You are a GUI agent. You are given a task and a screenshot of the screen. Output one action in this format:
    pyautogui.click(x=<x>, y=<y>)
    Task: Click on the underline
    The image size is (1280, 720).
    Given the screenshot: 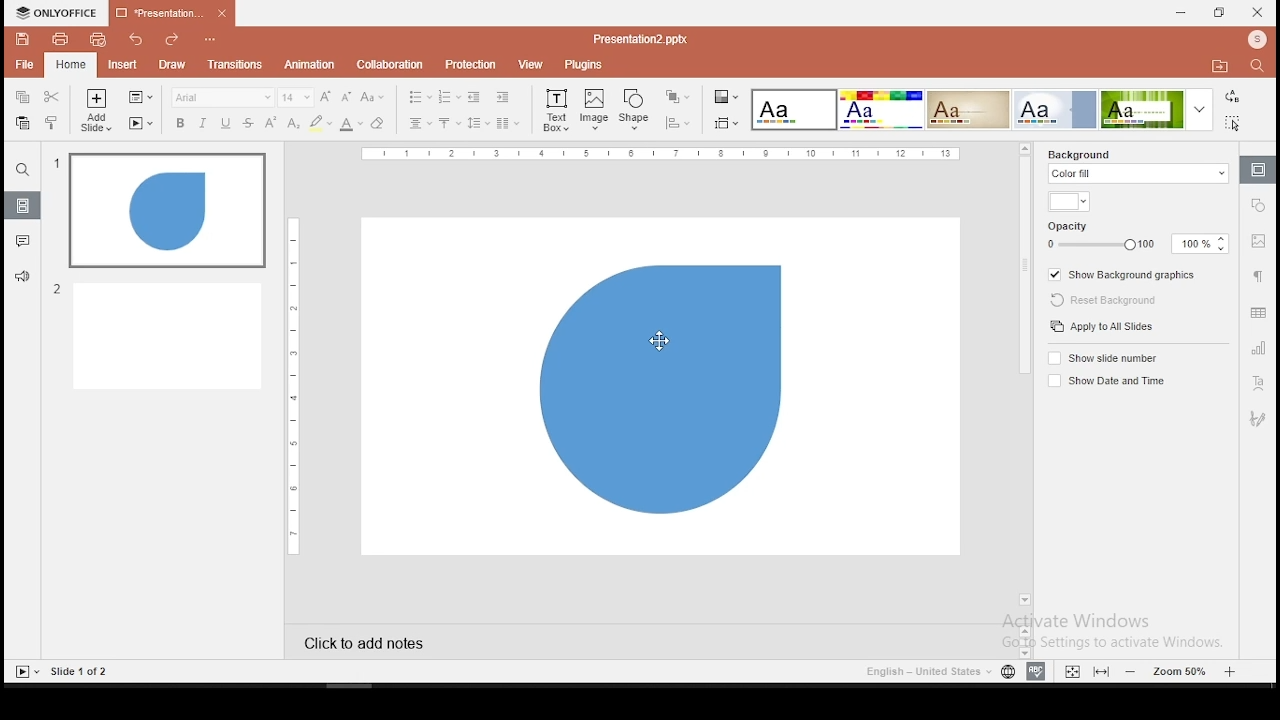 What is the action you would take?
    pyautogui.click(x=226, y=123)
    